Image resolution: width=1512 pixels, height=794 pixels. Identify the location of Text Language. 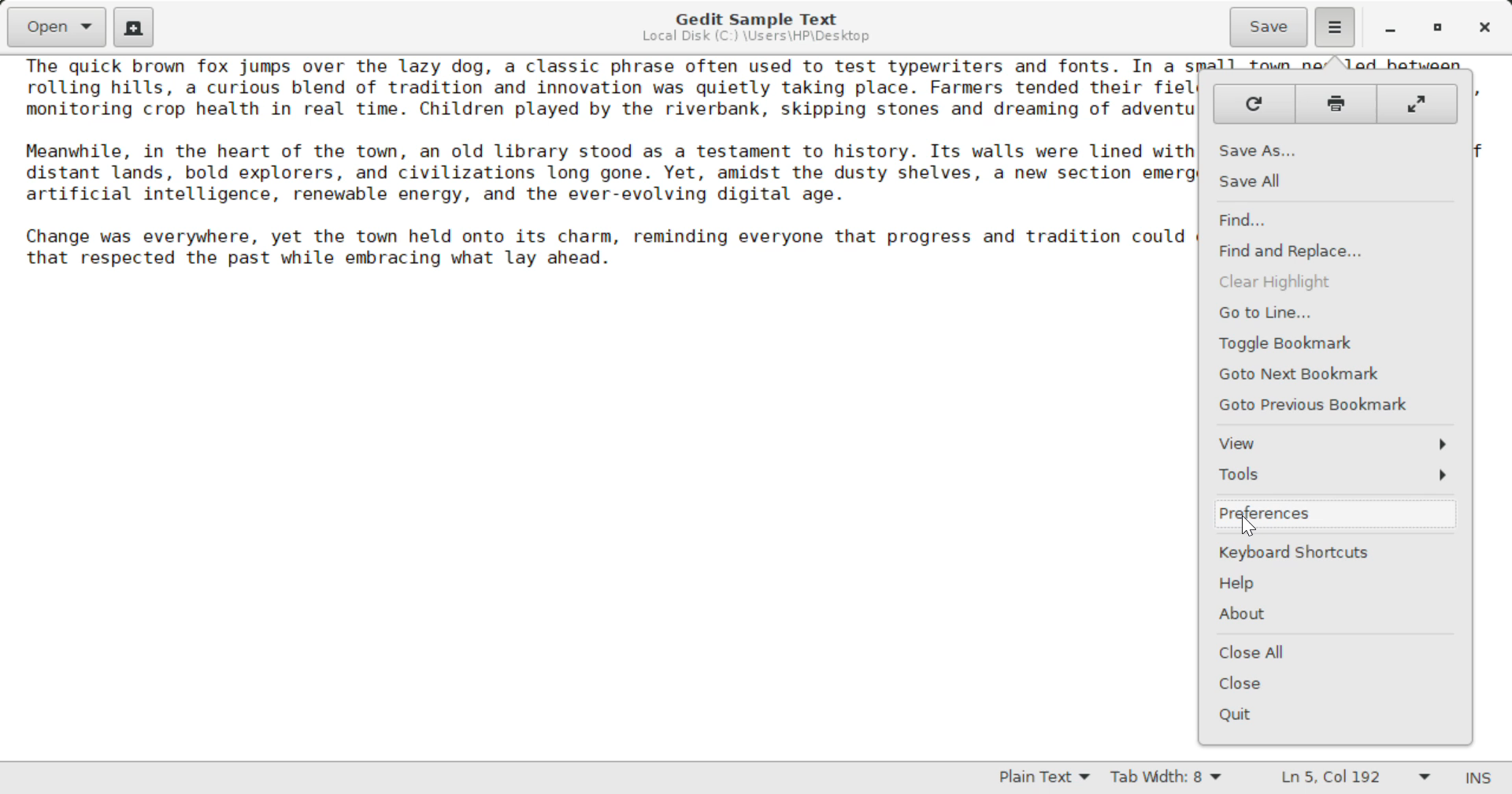
(1043, 780).